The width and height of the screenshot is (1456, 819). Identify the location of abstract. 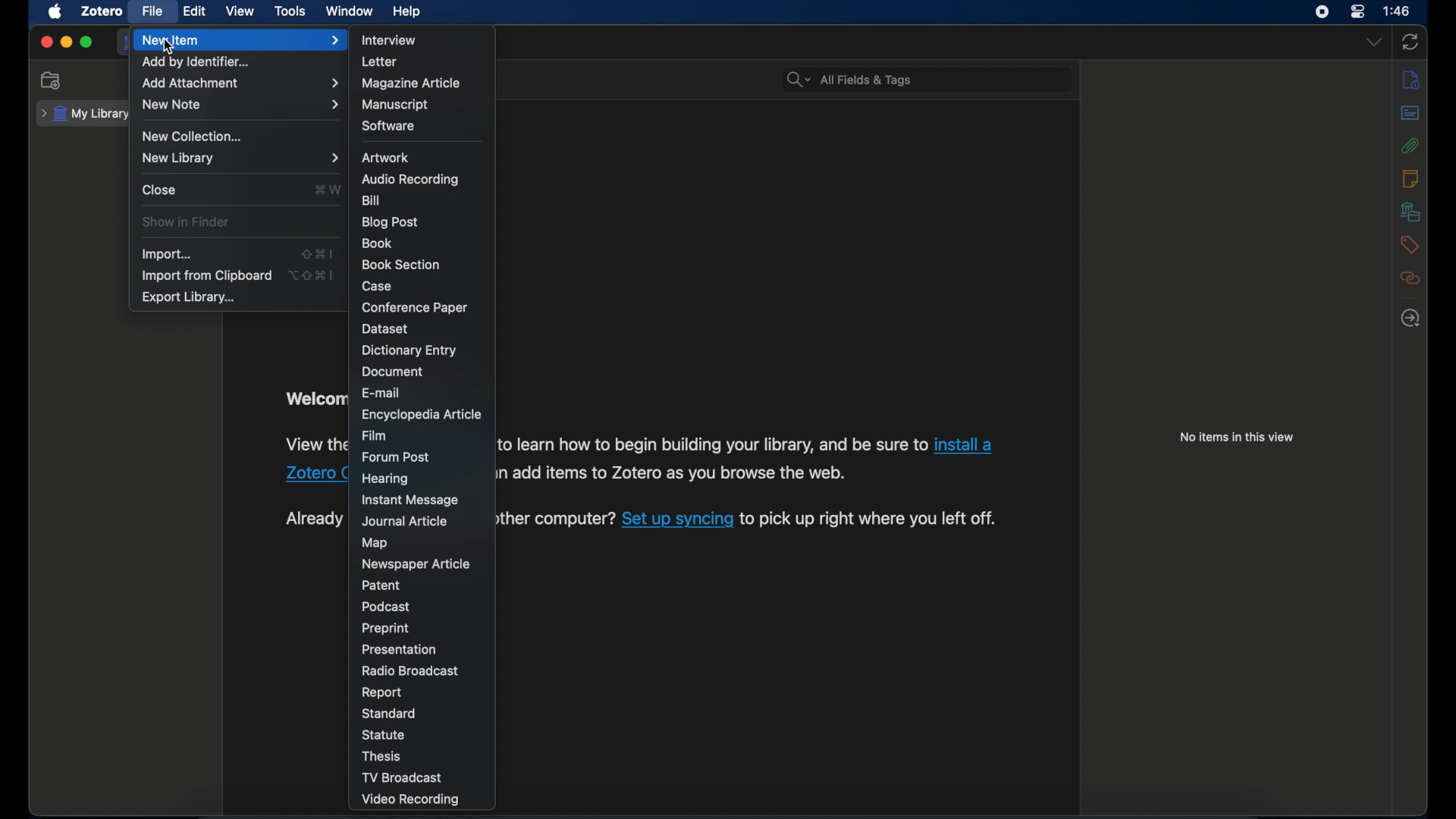
(1410, 112).